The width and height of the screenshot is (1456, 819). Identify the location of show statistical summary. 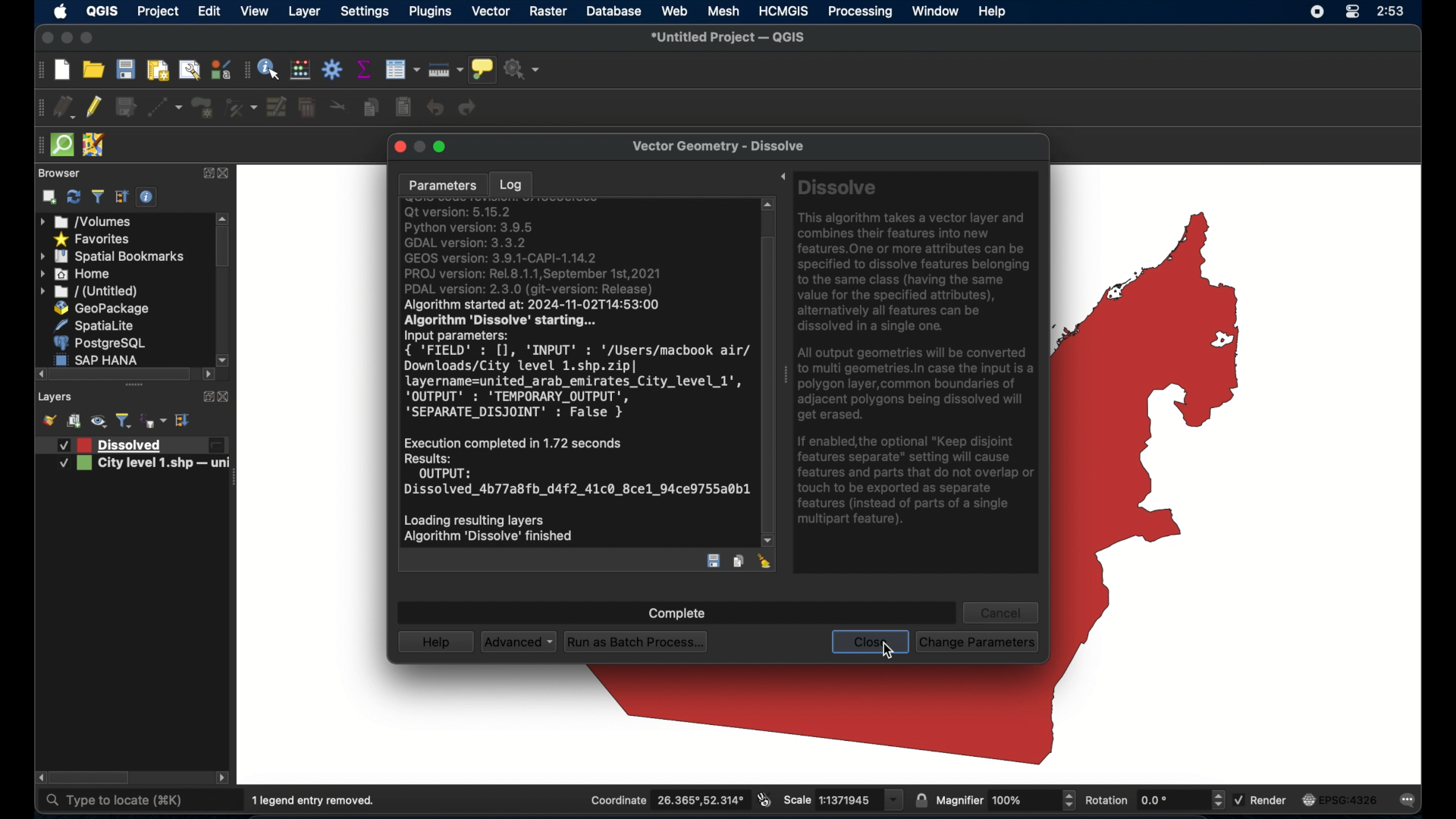
(365, 70).